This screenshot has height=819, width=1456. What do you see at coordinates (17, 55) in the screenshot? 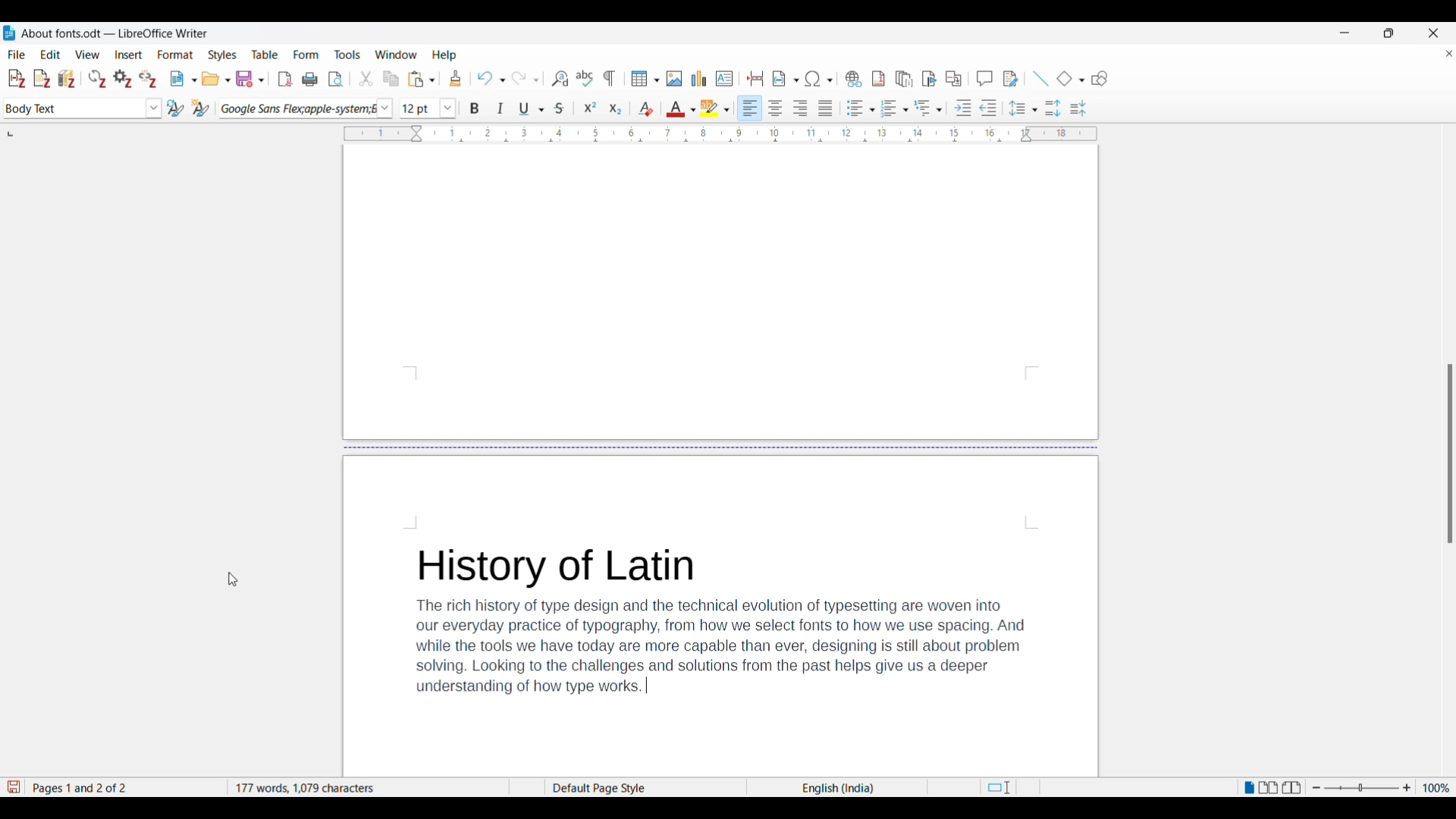
I see `File menu` at bounding box center [17, 55].